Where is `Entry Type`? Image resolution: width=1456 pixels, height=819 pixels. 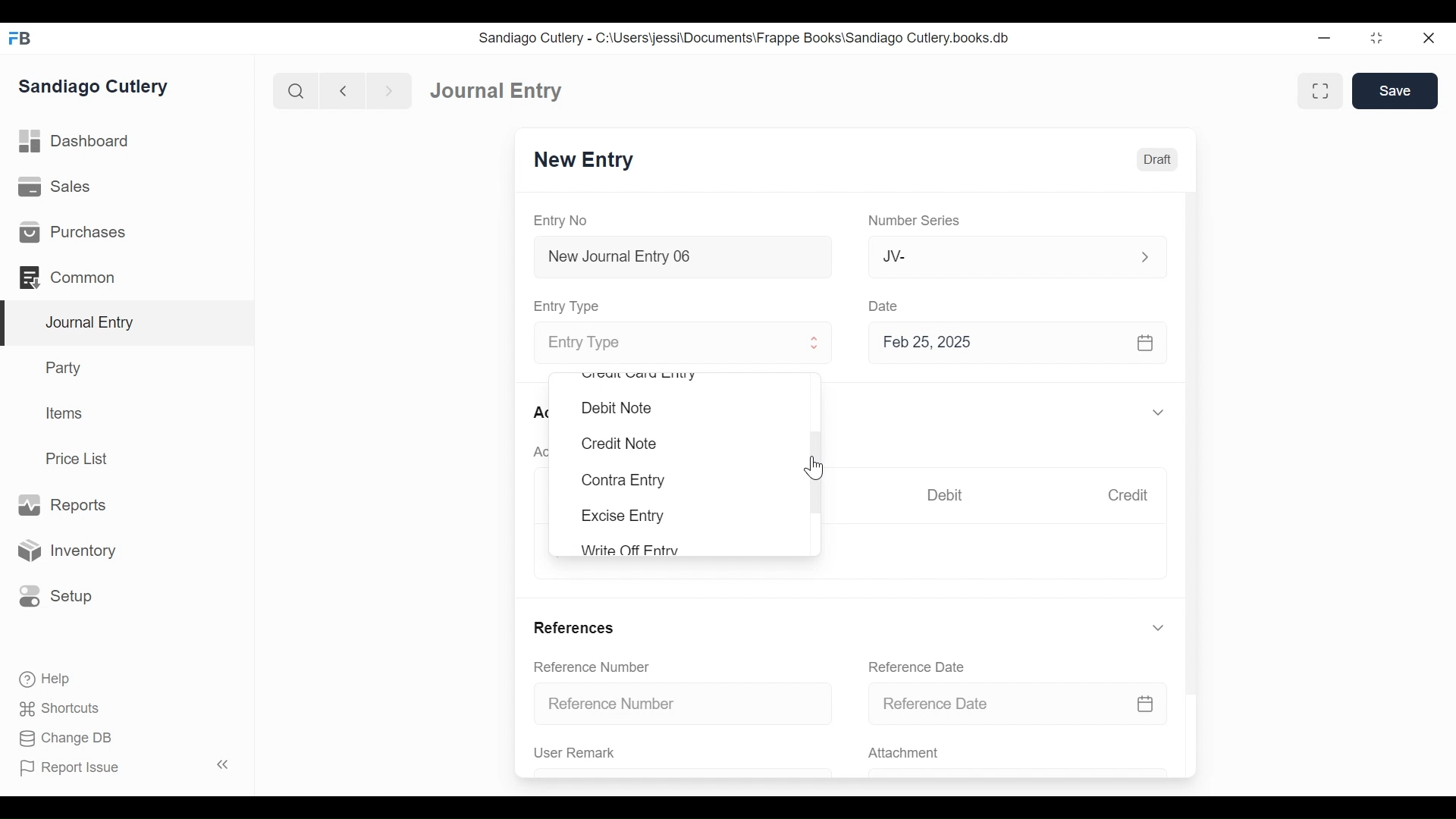
Entry Type is located at coordinates (569, 306).